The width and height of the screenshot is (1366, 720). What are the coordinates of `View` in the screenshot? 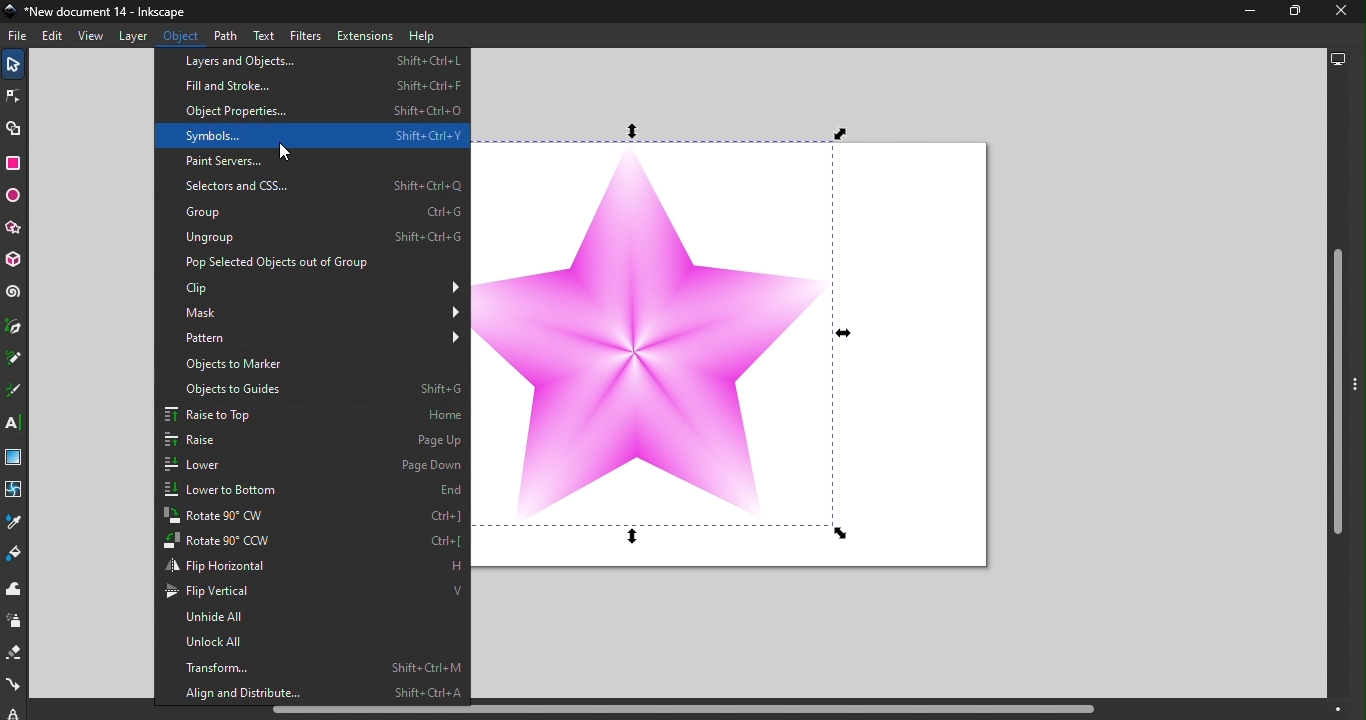 It's located at (91, 38).